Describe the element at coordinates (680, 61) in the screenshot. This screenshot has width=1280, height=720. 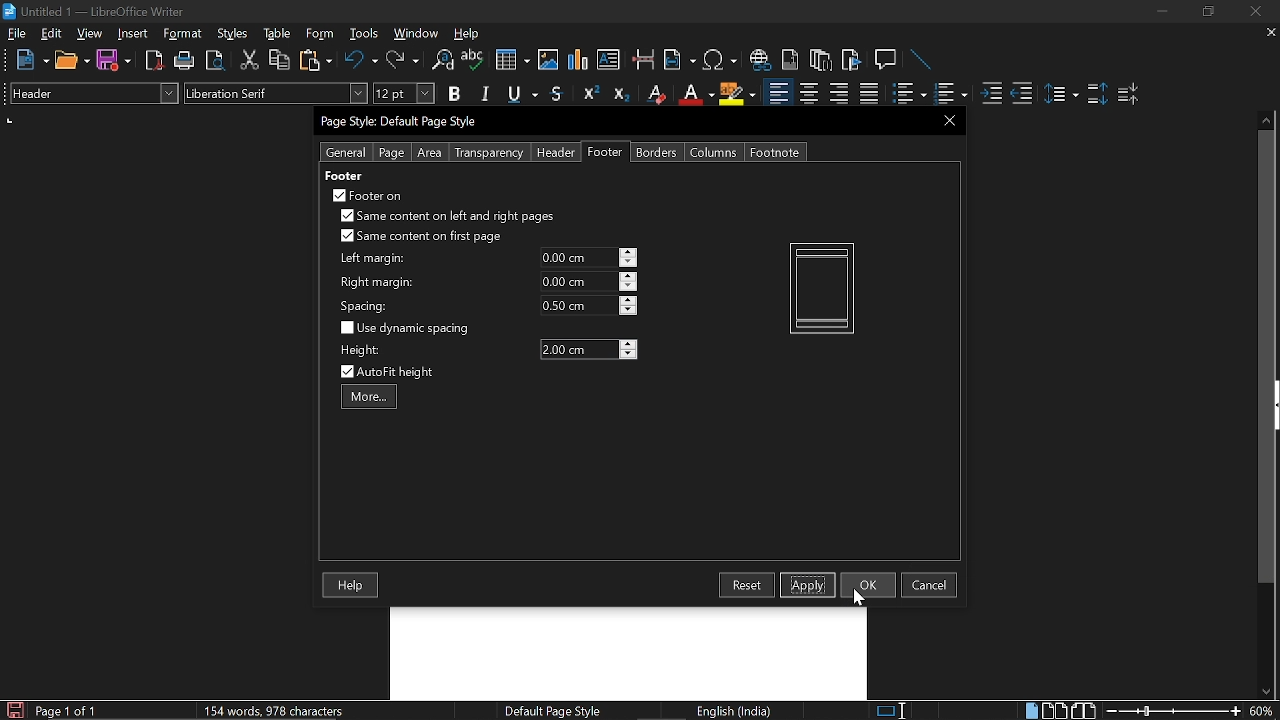
I see `Insert field` at that location.